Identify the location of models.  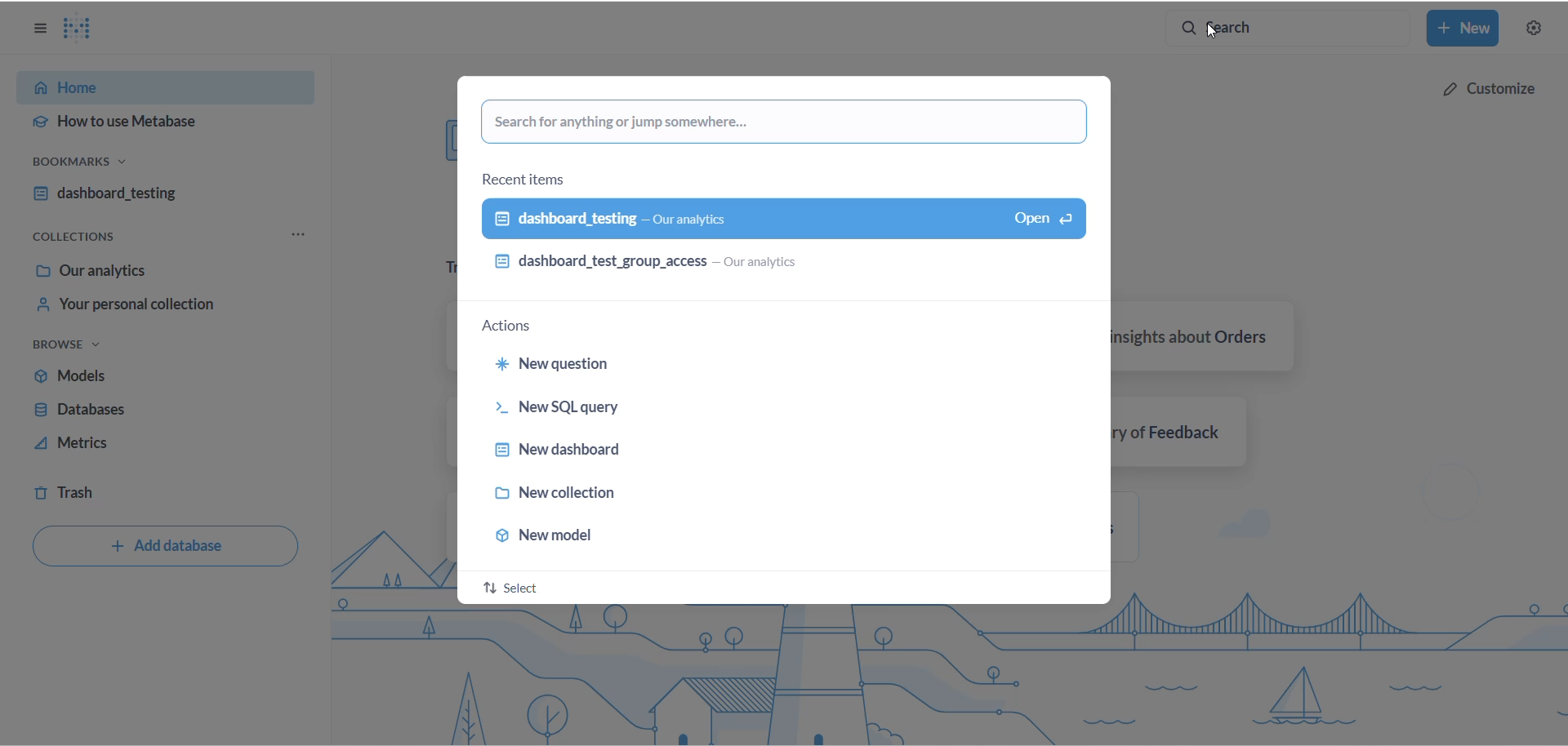
(140, 380).